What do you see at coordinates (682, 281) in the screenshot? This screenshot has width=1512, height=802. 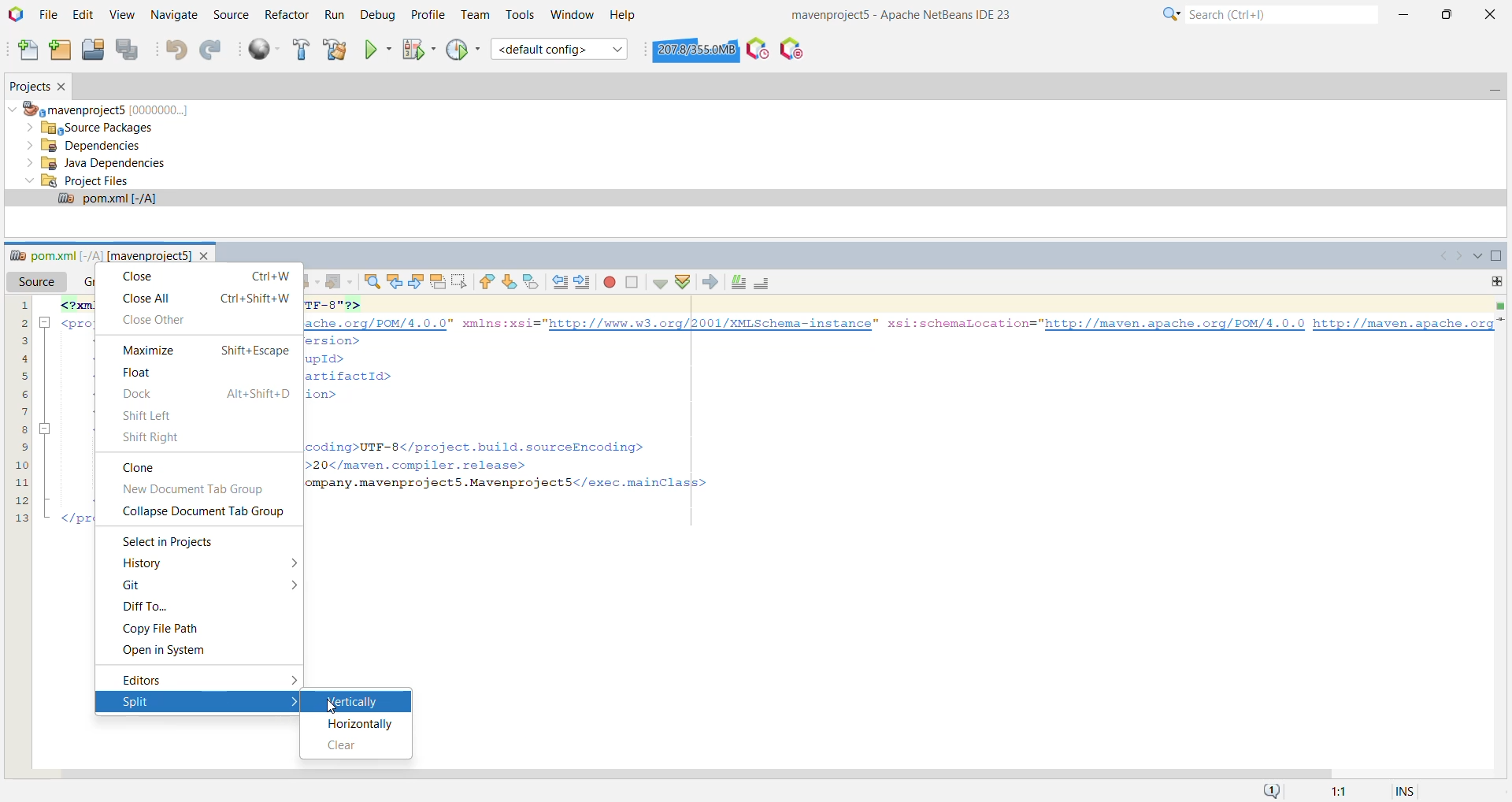 I see `Validate XML` at bounding box center [682, 281].